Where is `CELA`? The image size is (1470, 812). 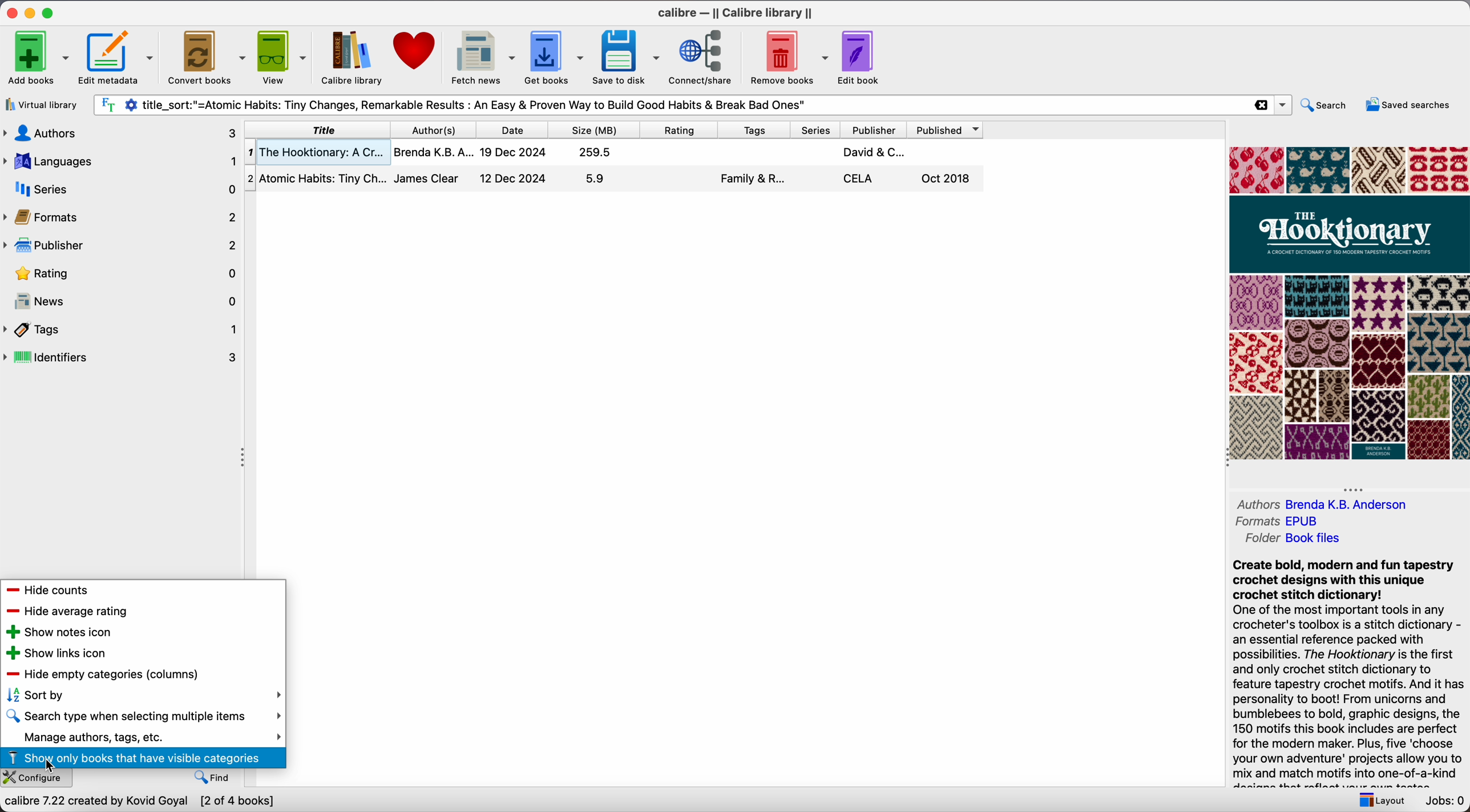 CELA is located at coordinates (859, 179).